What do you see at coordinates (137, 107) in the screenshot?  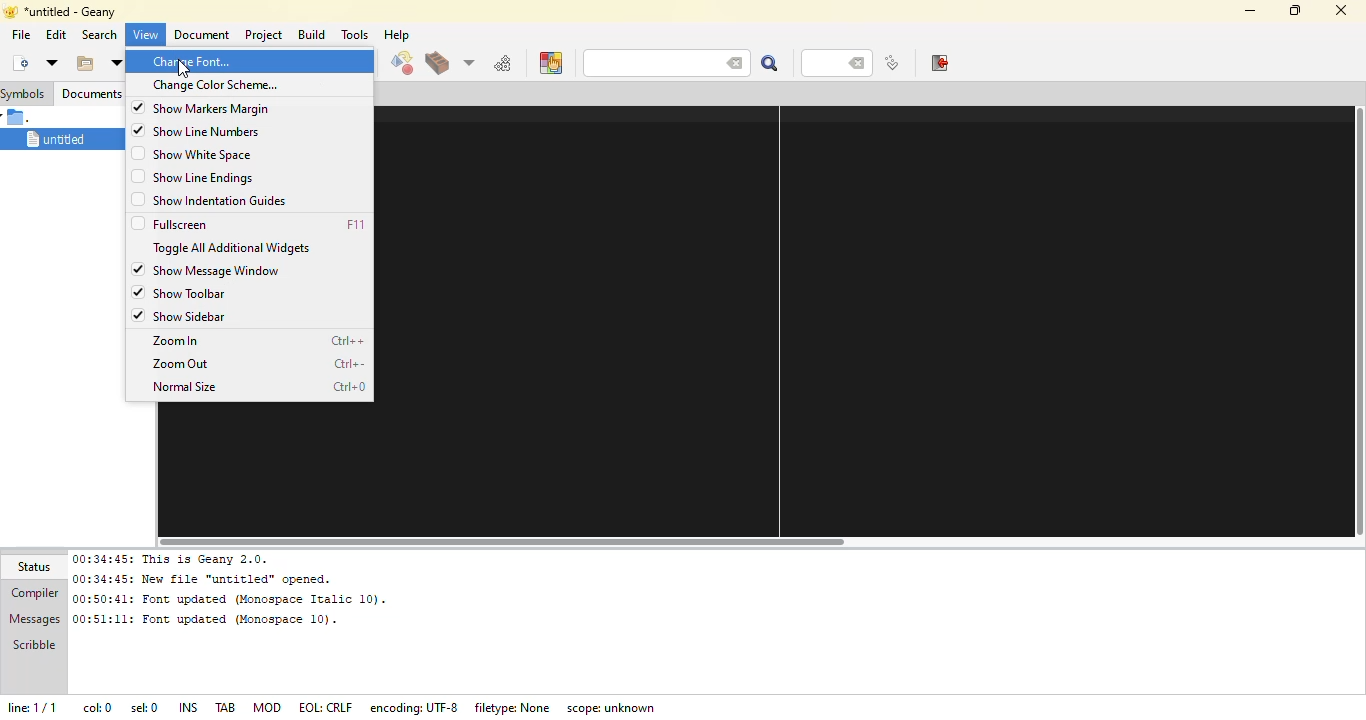 I see `enabled` at bounding box center [137, 107].